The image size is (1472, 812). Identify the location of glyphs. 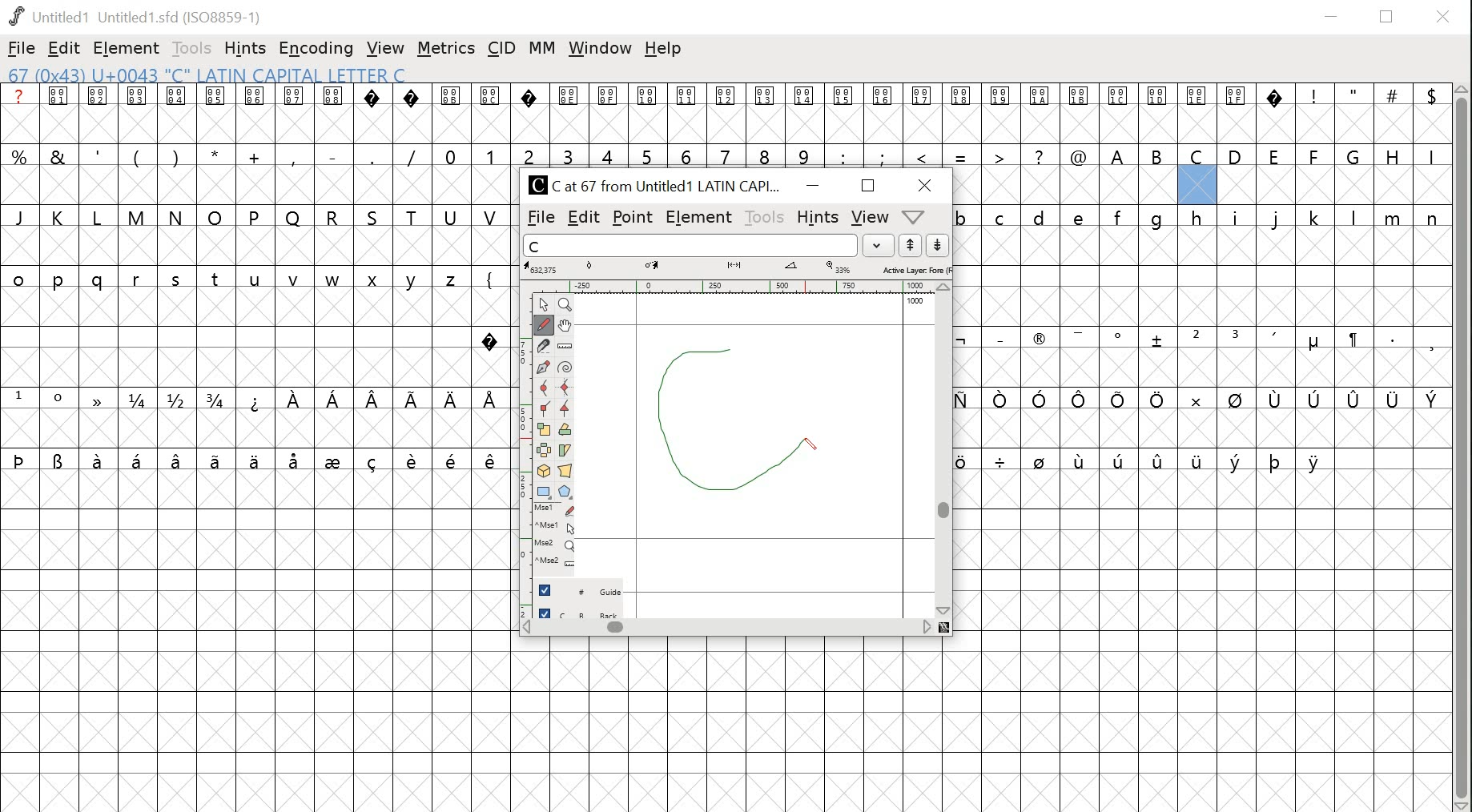
(736, 125).